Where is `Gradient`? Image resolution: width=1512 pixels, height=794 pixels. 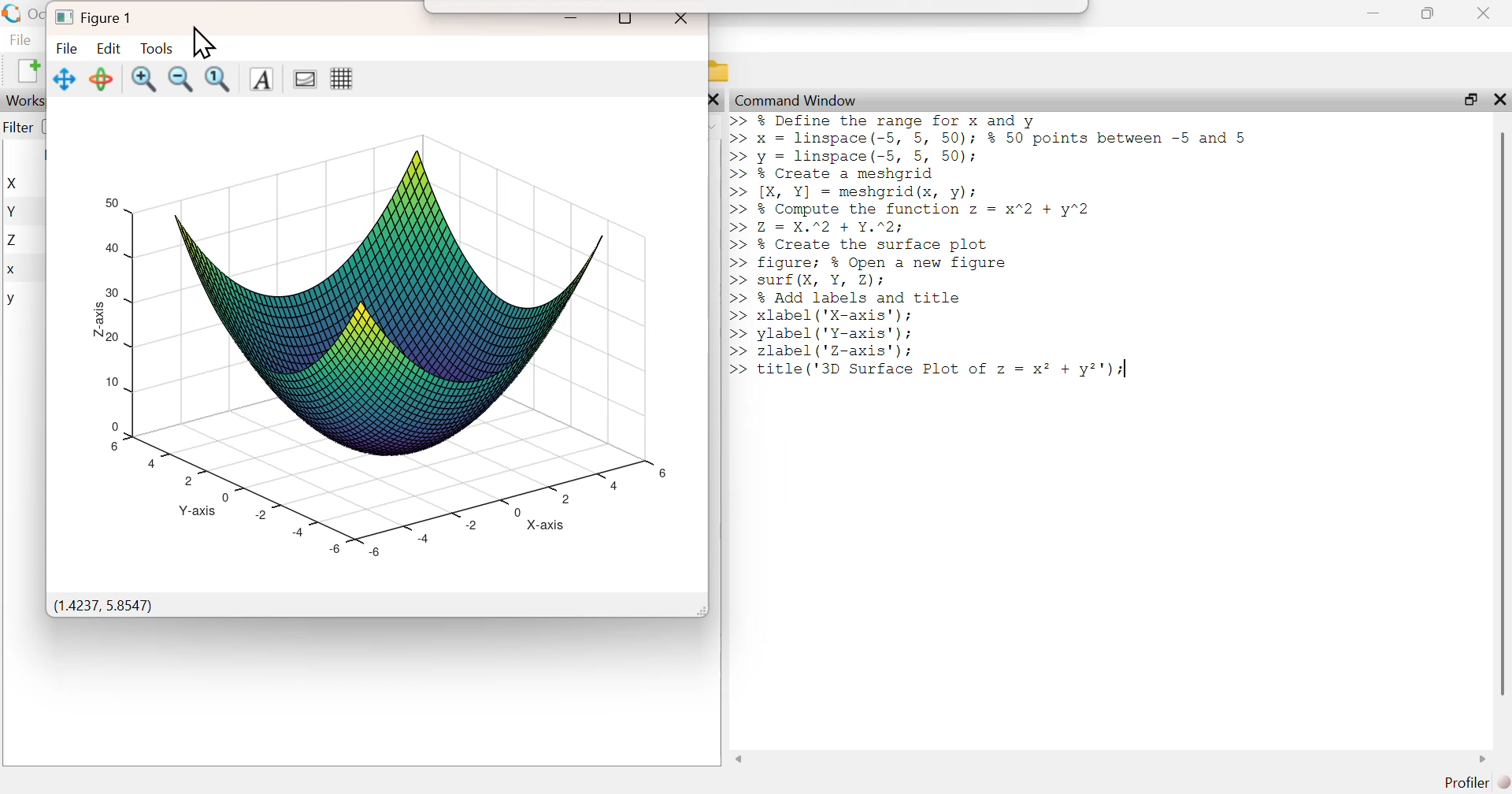 Gradient is located at coordinates (305, 79).